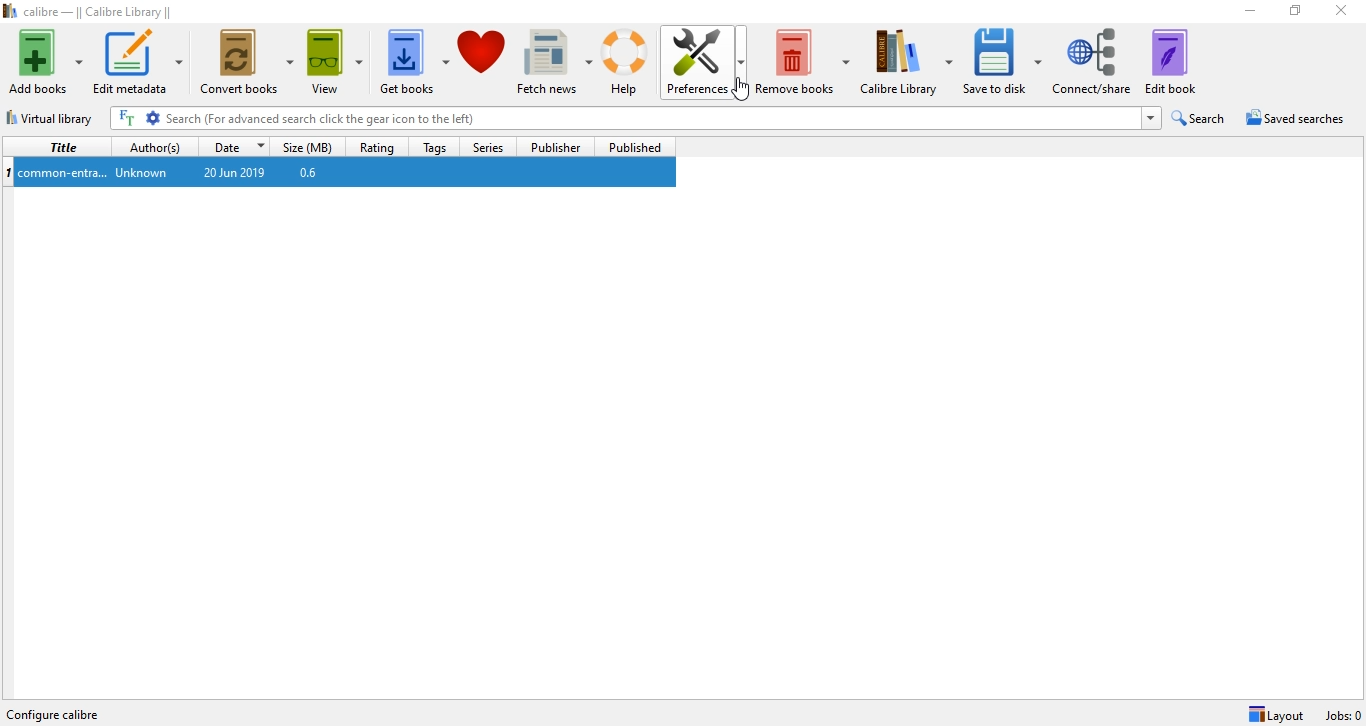  Describe the element at coordinates (92, 12) in the screenshot. I see `calibre - || Calibre Library ||` at that location.